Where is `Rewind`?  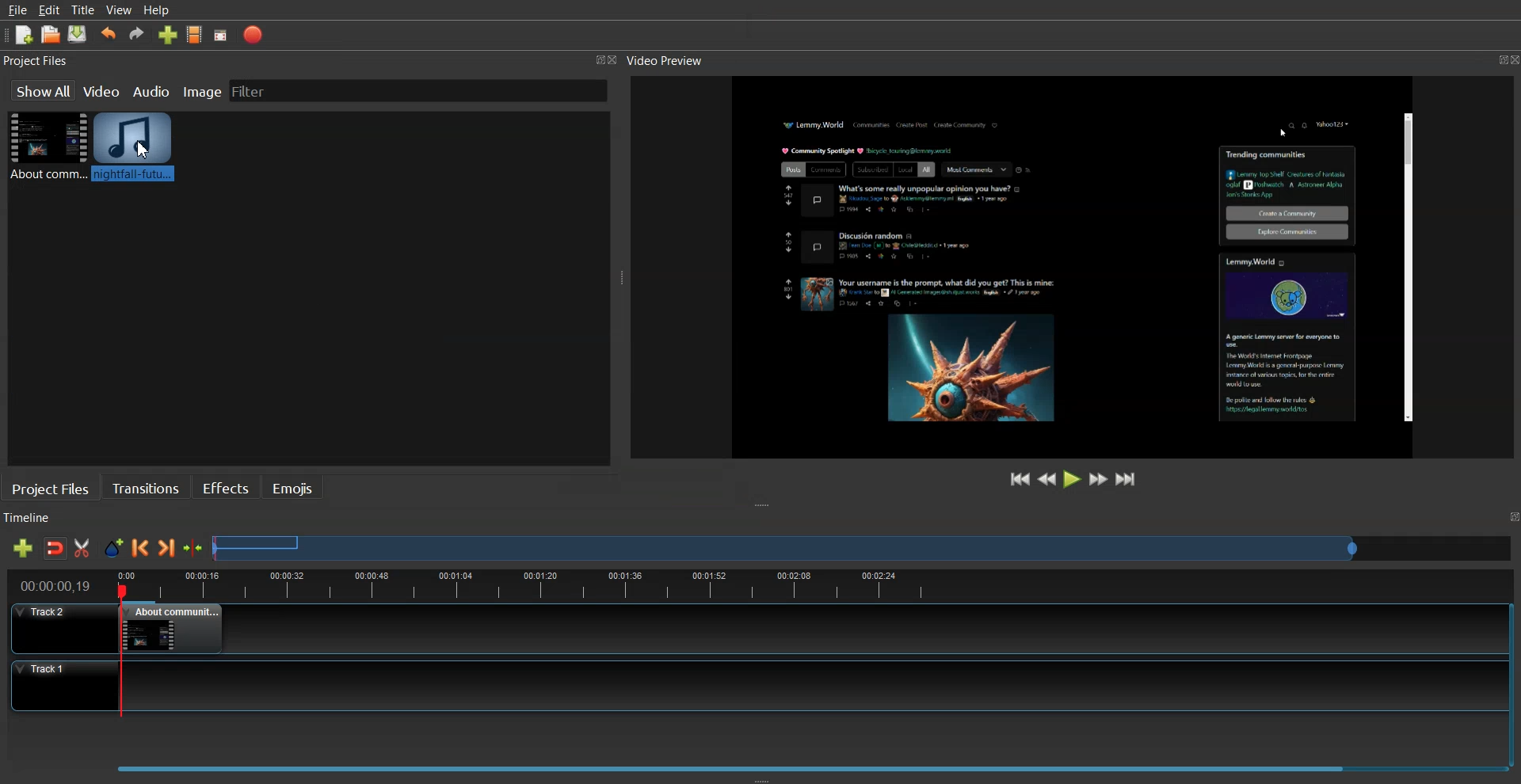 Rewind is located at coordinates (1047, 478).